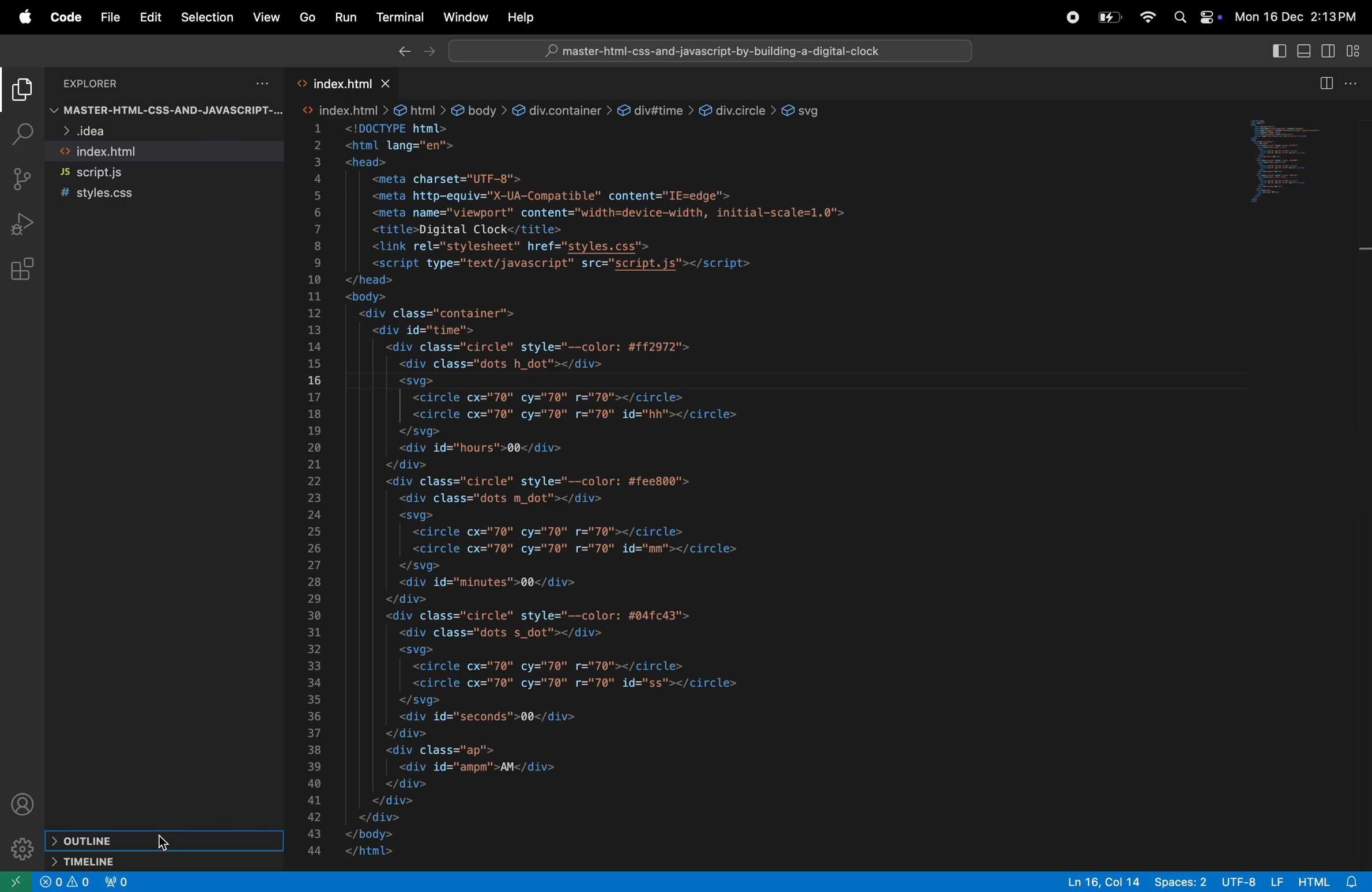  I want to click on html, so click(420, 110).